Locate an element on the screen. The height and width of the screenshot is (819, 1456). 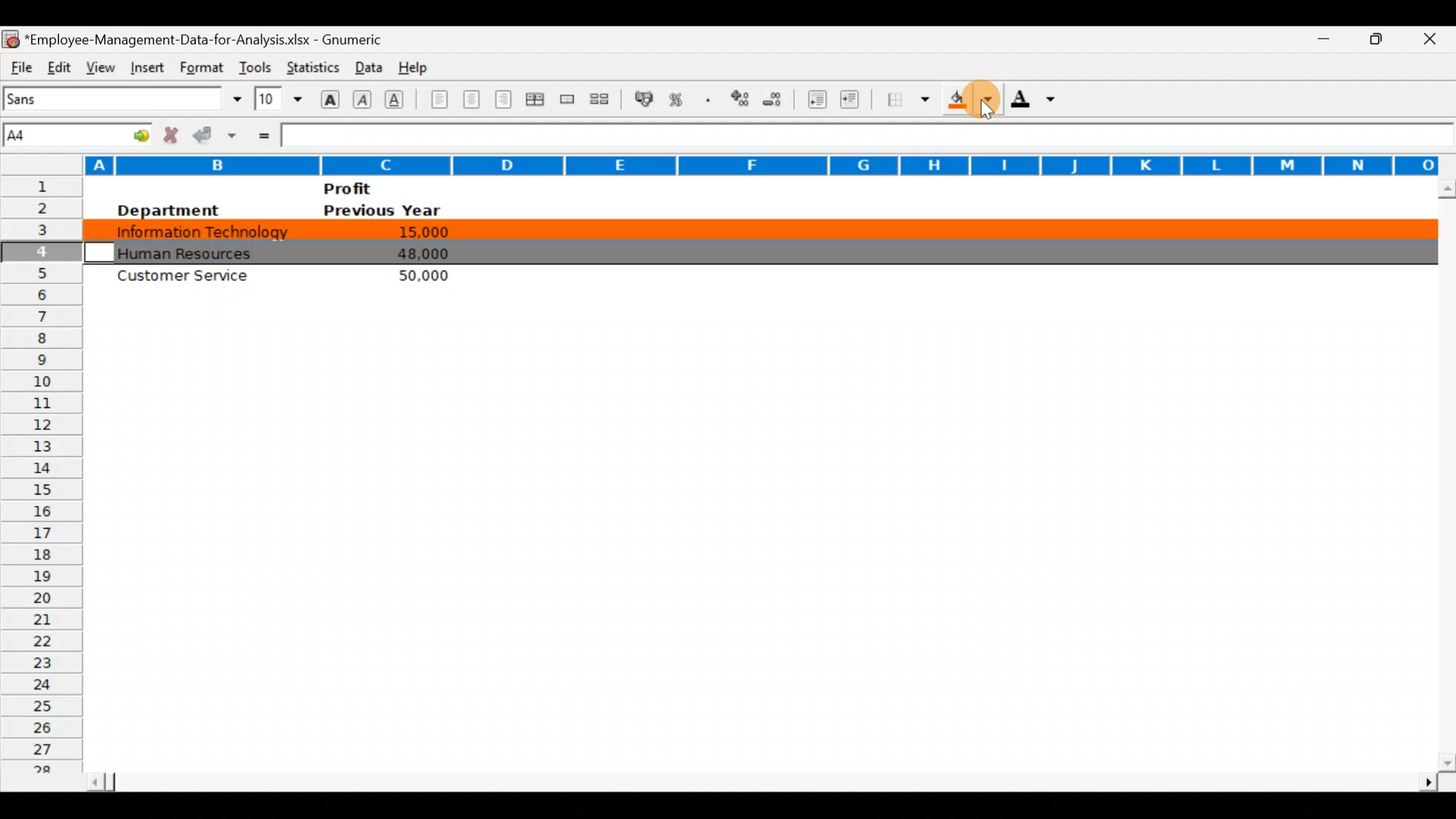
Align right is located at coordinates (506, 99).